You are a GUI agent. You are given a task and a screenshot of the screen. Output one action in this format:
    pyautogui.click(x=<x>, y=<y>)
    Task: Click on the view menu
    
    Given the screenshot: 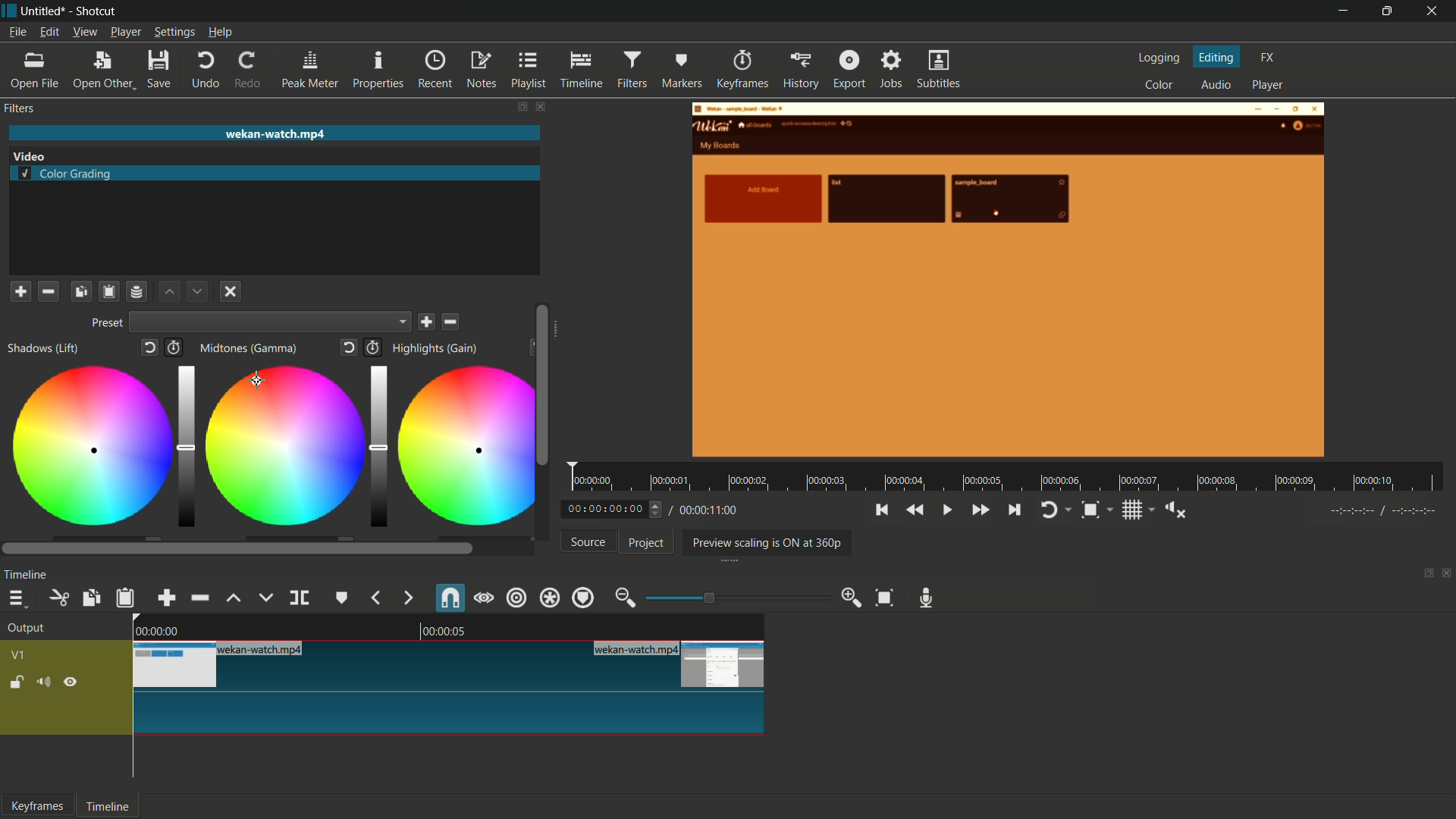 What is the action you would take?
    pyautogui.click(x=85, y=33)
    